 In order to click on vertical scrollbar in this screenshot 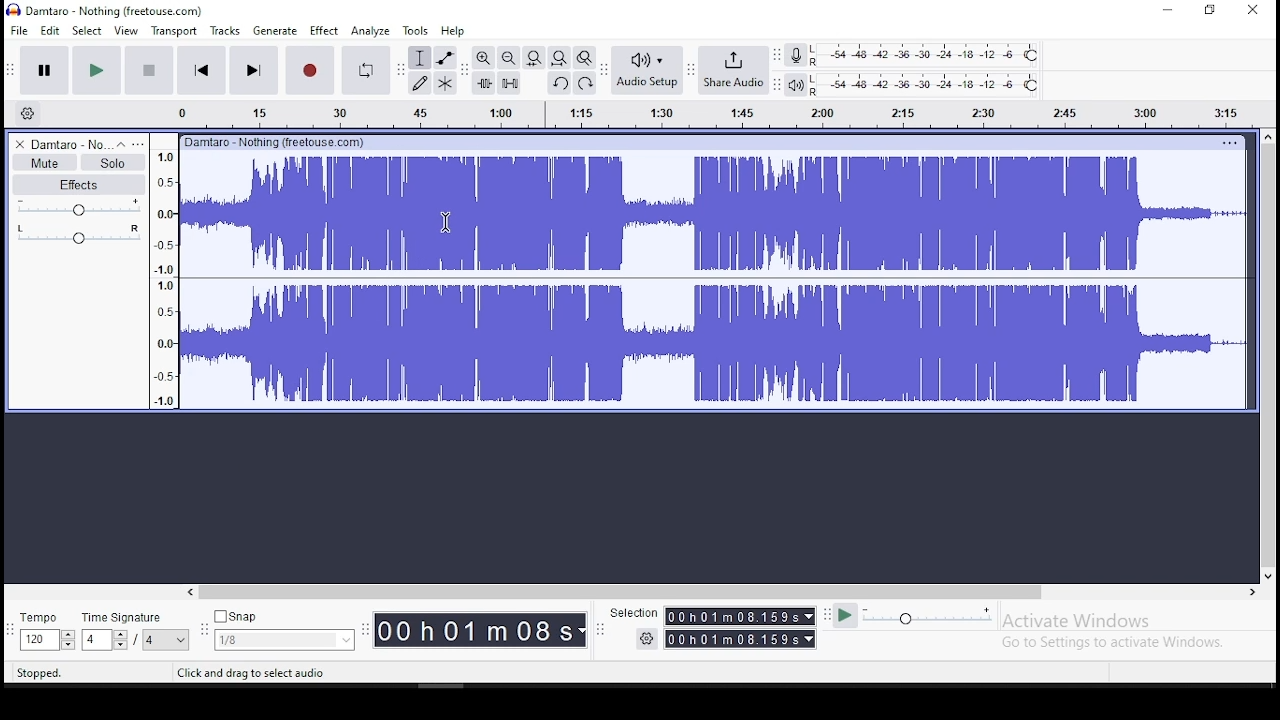, I will do `click(1269, 356)`.